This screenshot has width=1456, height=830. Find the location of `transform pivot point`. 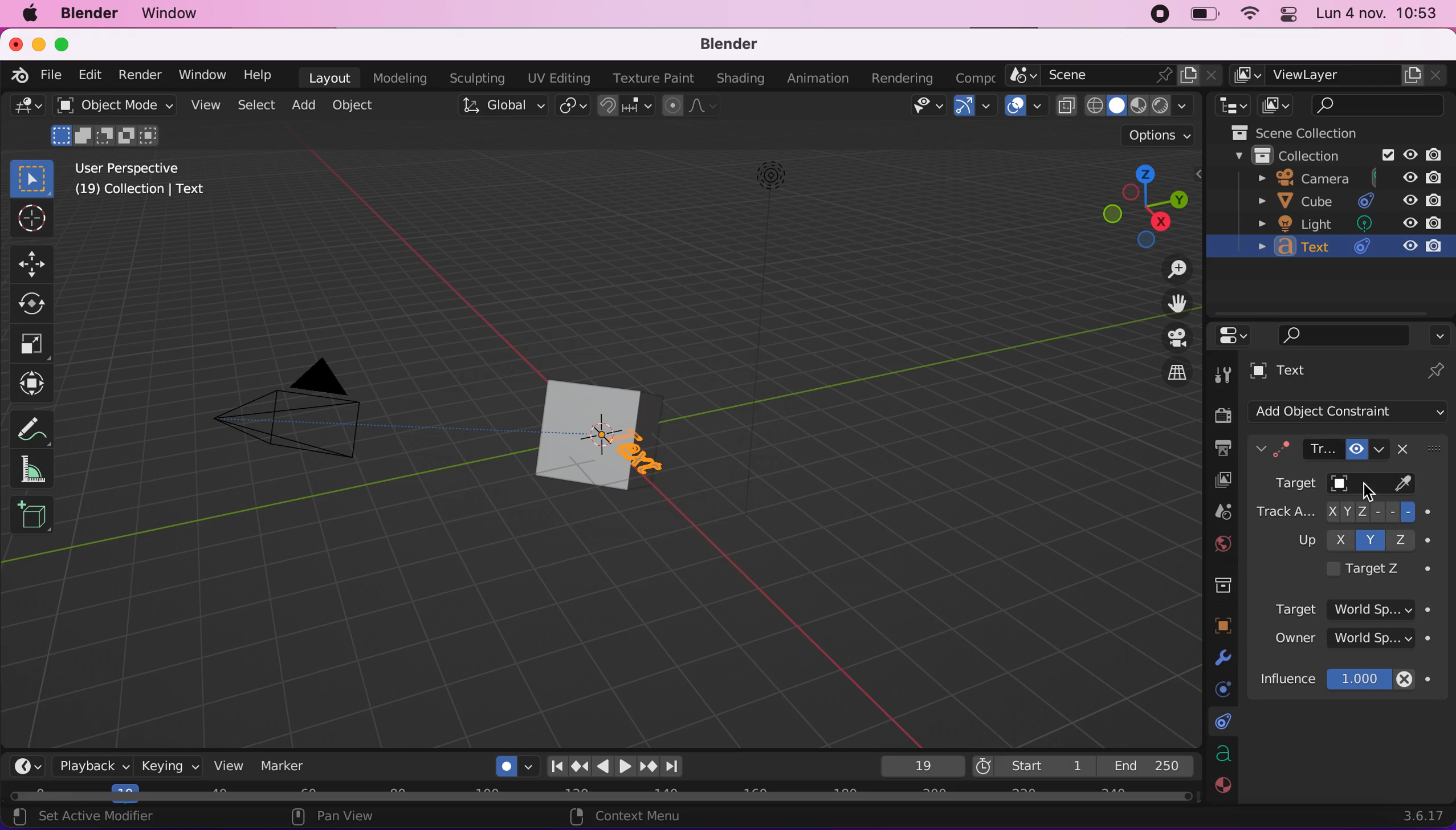

transform pivot point is located at coordinates (572, 106).